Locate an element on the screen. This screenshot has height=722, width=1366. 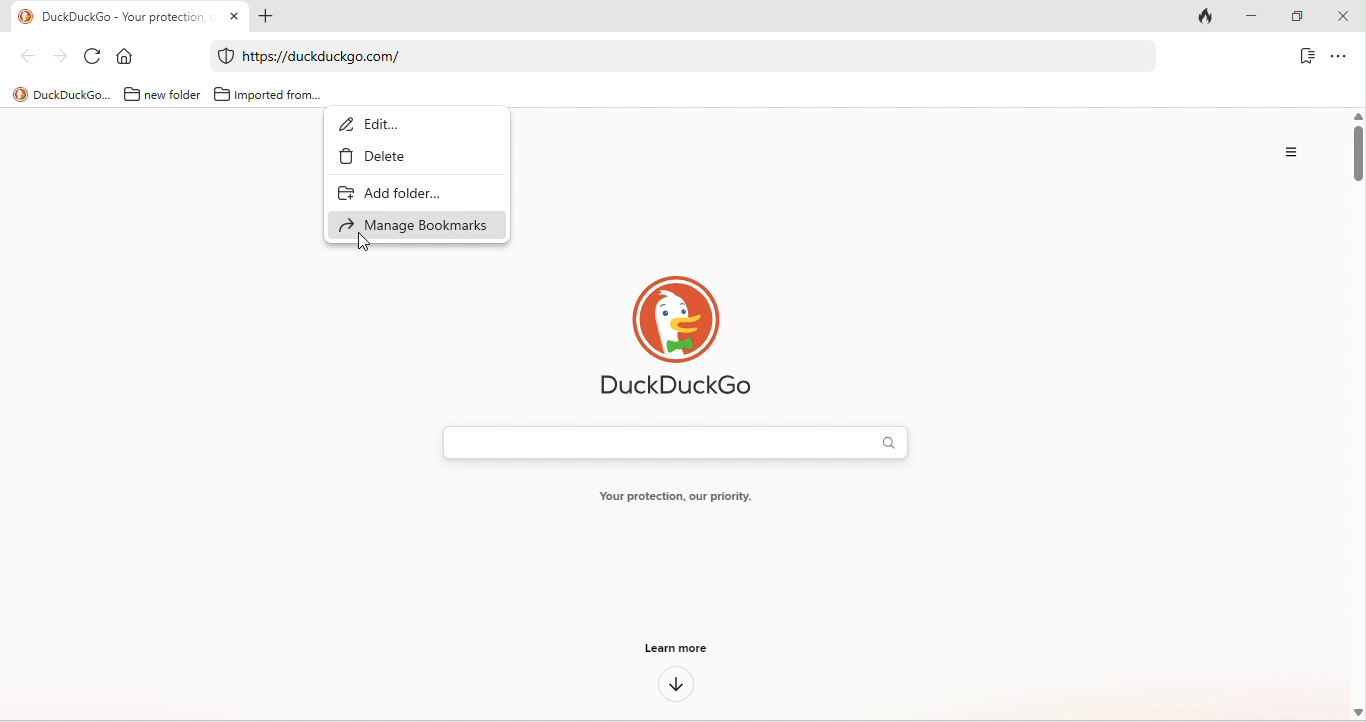
bookmark is located at coordinates (1305, 58).